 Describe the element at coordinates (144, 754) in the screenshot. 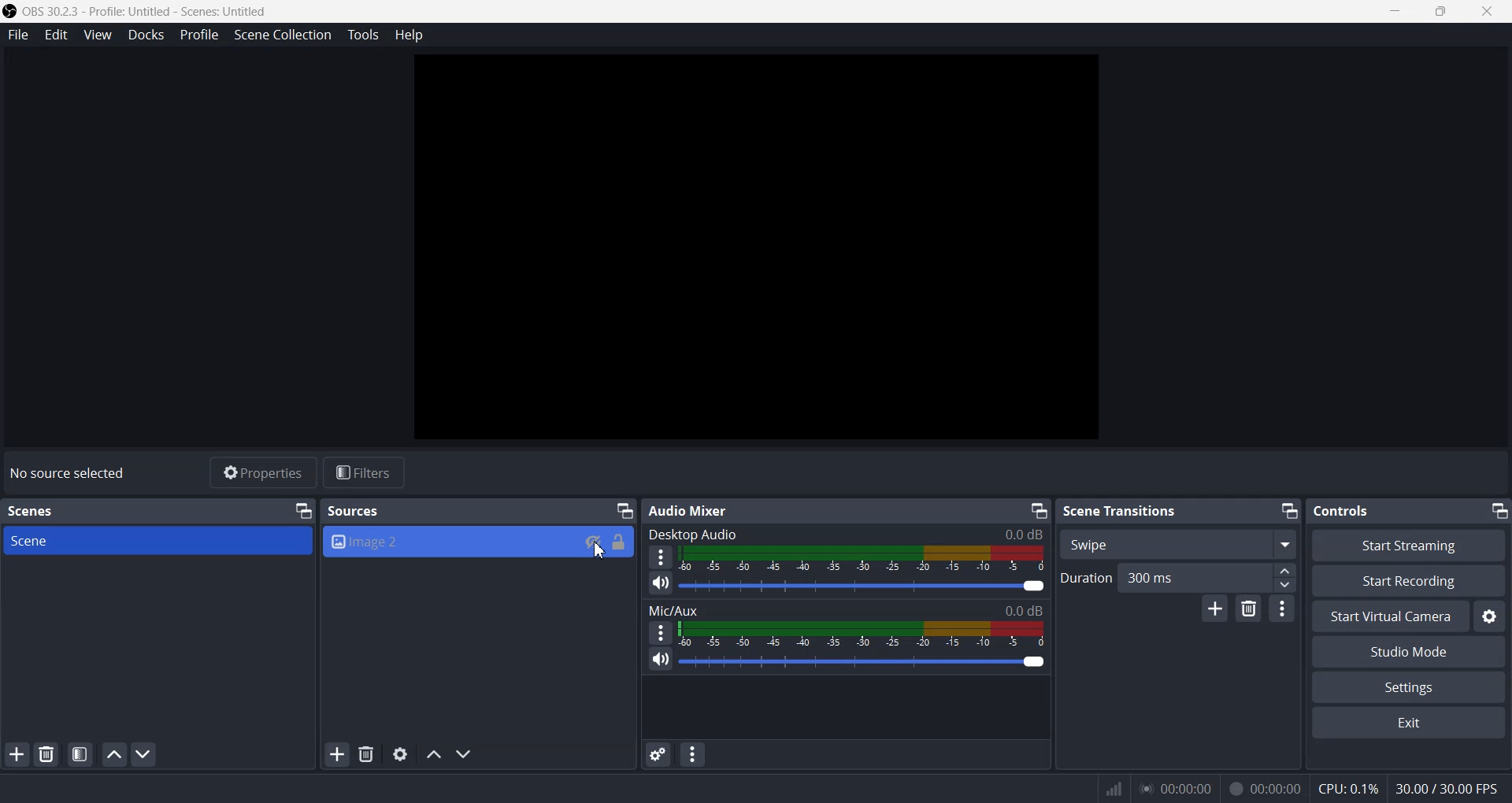

I see `Move scene down` at that location.